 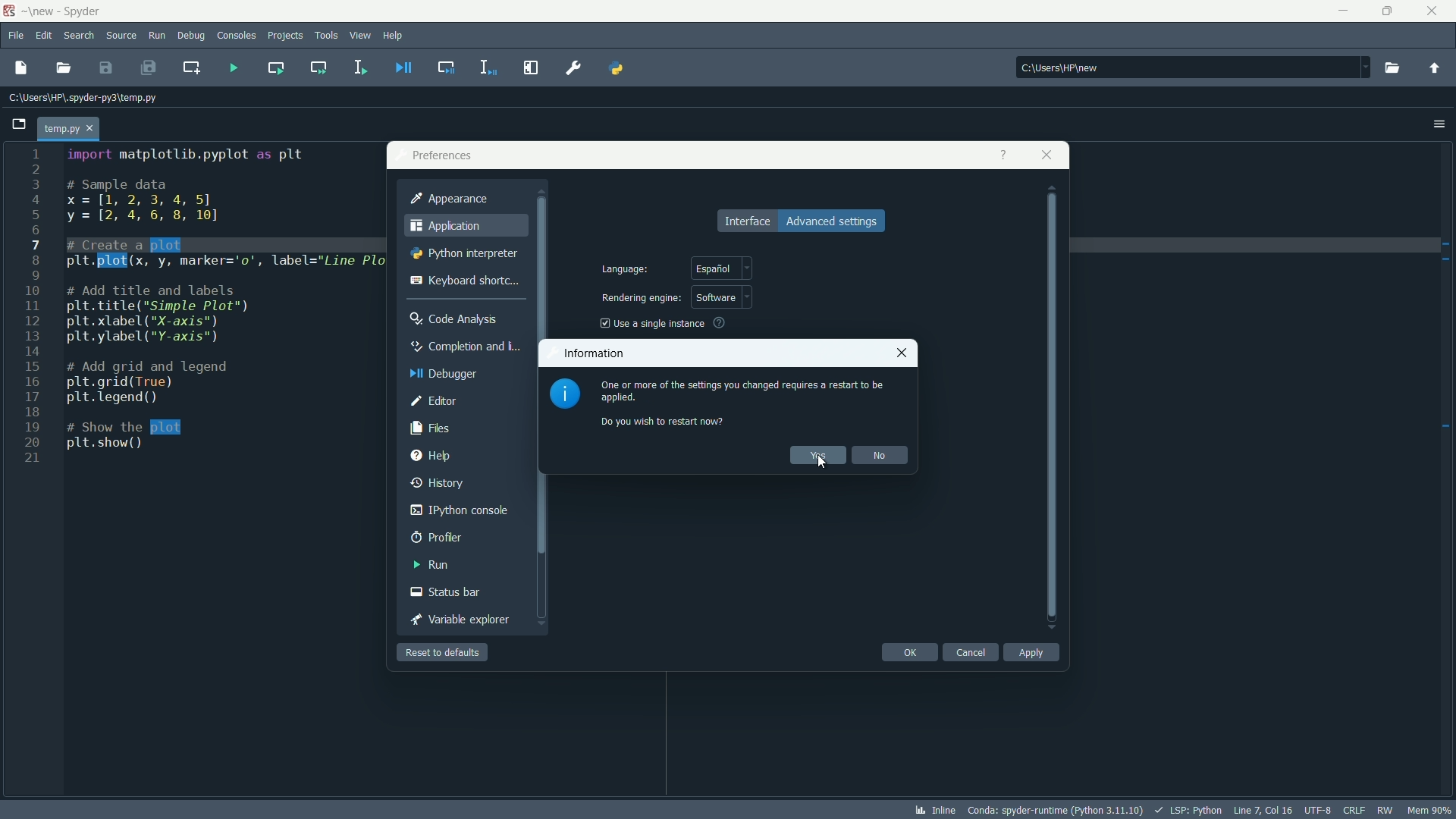 What do you see at coordinates (193, 36) in the screenshot?
I see `debug` at bounding box center [193, 36].